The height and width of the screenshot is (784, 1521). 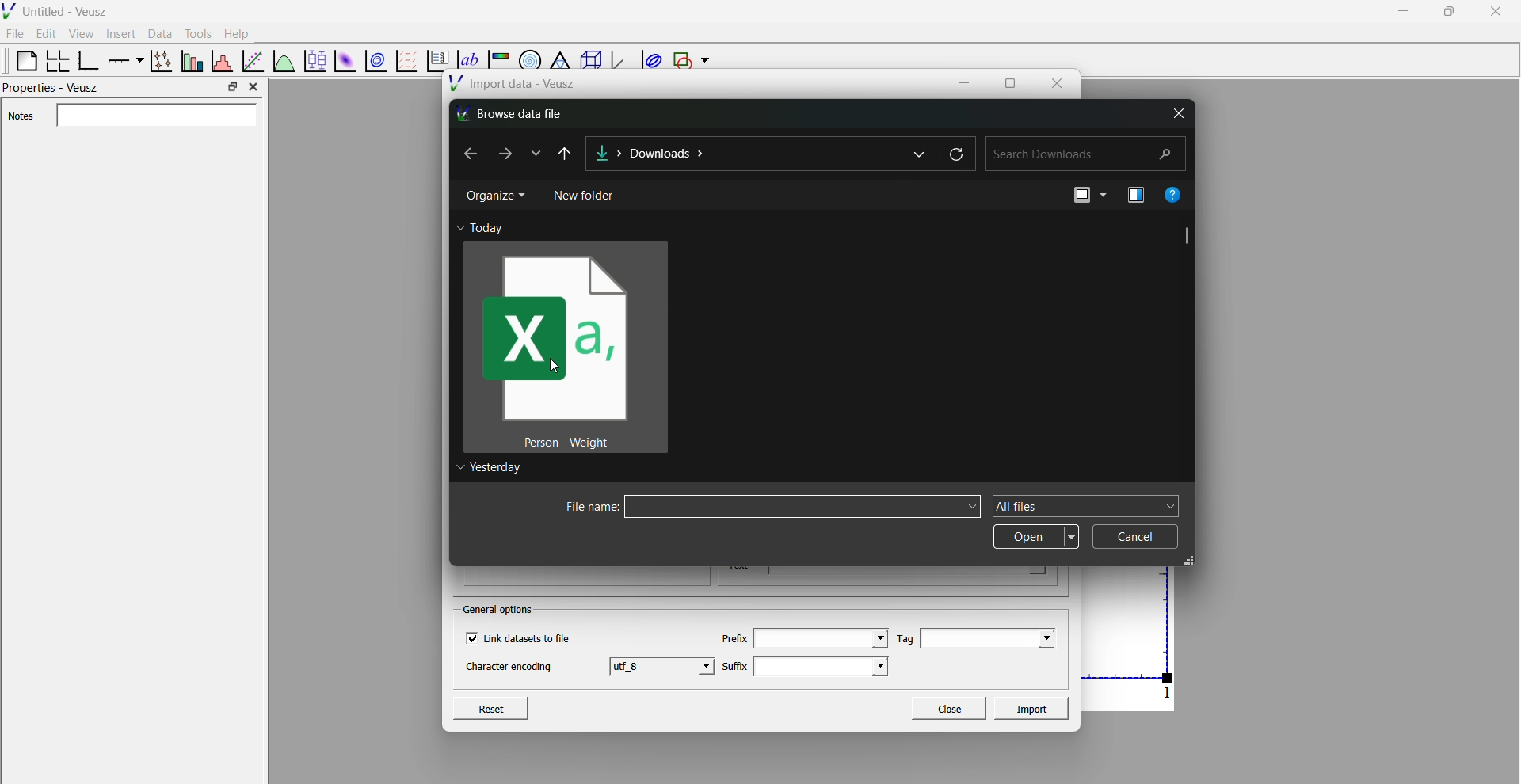 I want to click on File name, so click(x=762, y=508).